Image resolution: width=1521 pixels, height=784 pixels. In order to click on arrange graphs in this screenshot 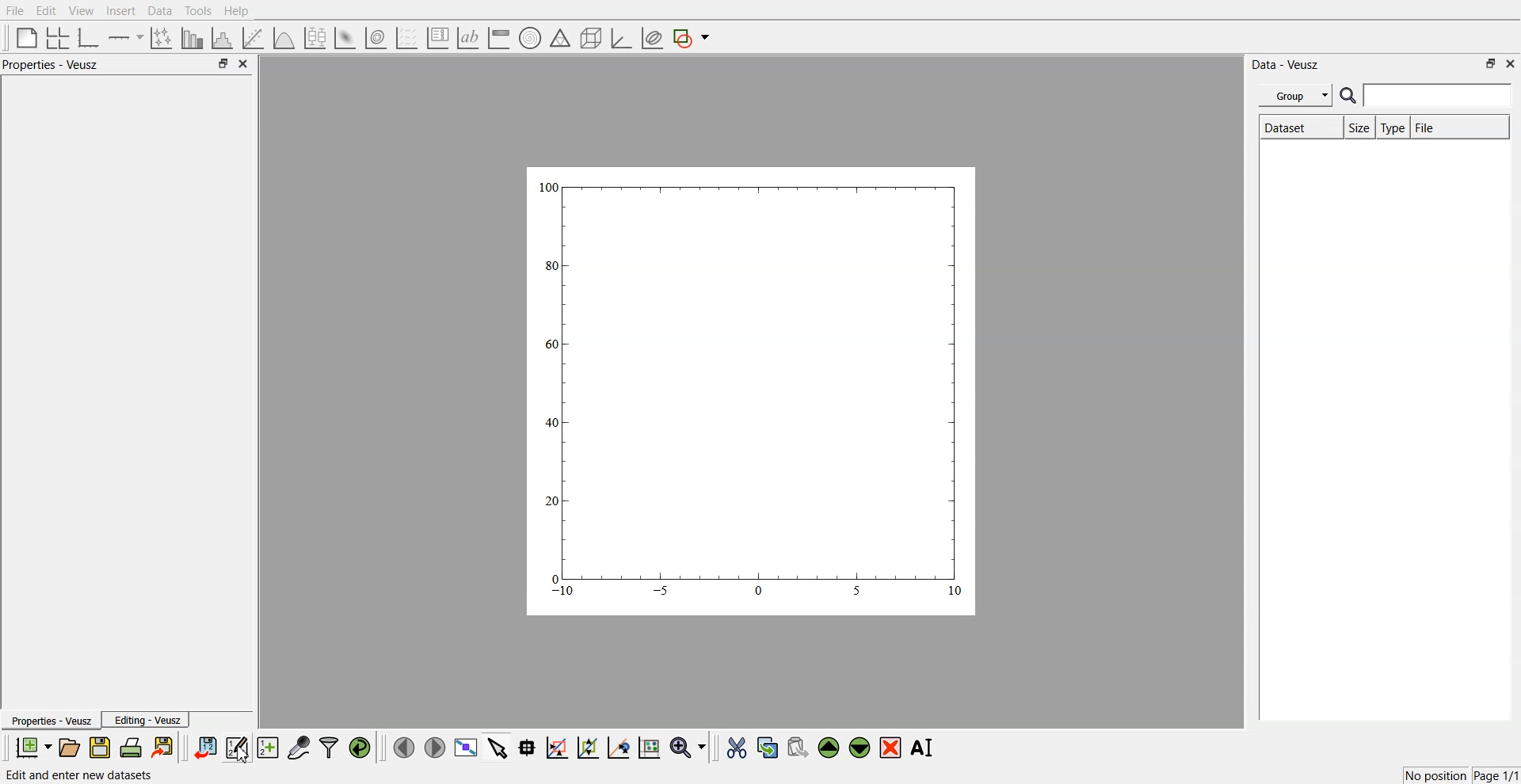, I will do `click(55, 37)`.